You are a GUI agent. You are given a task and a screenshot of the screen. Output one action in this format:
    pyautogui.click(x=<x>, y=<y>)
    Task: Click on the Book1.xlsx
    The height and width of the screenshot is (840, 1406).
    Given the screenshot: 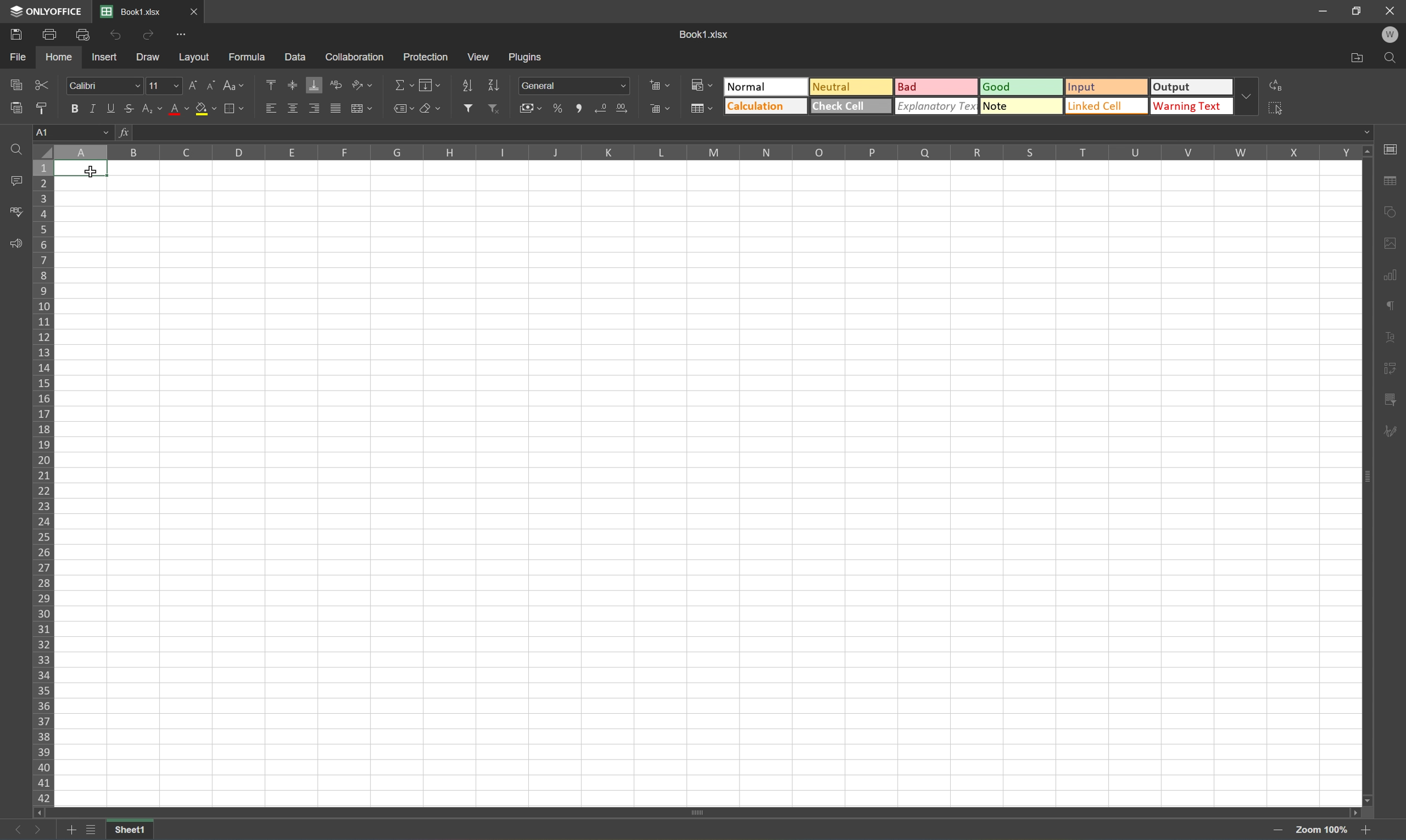 What is the action you would take?
    pyautogui.click(x=132, y=12)
    